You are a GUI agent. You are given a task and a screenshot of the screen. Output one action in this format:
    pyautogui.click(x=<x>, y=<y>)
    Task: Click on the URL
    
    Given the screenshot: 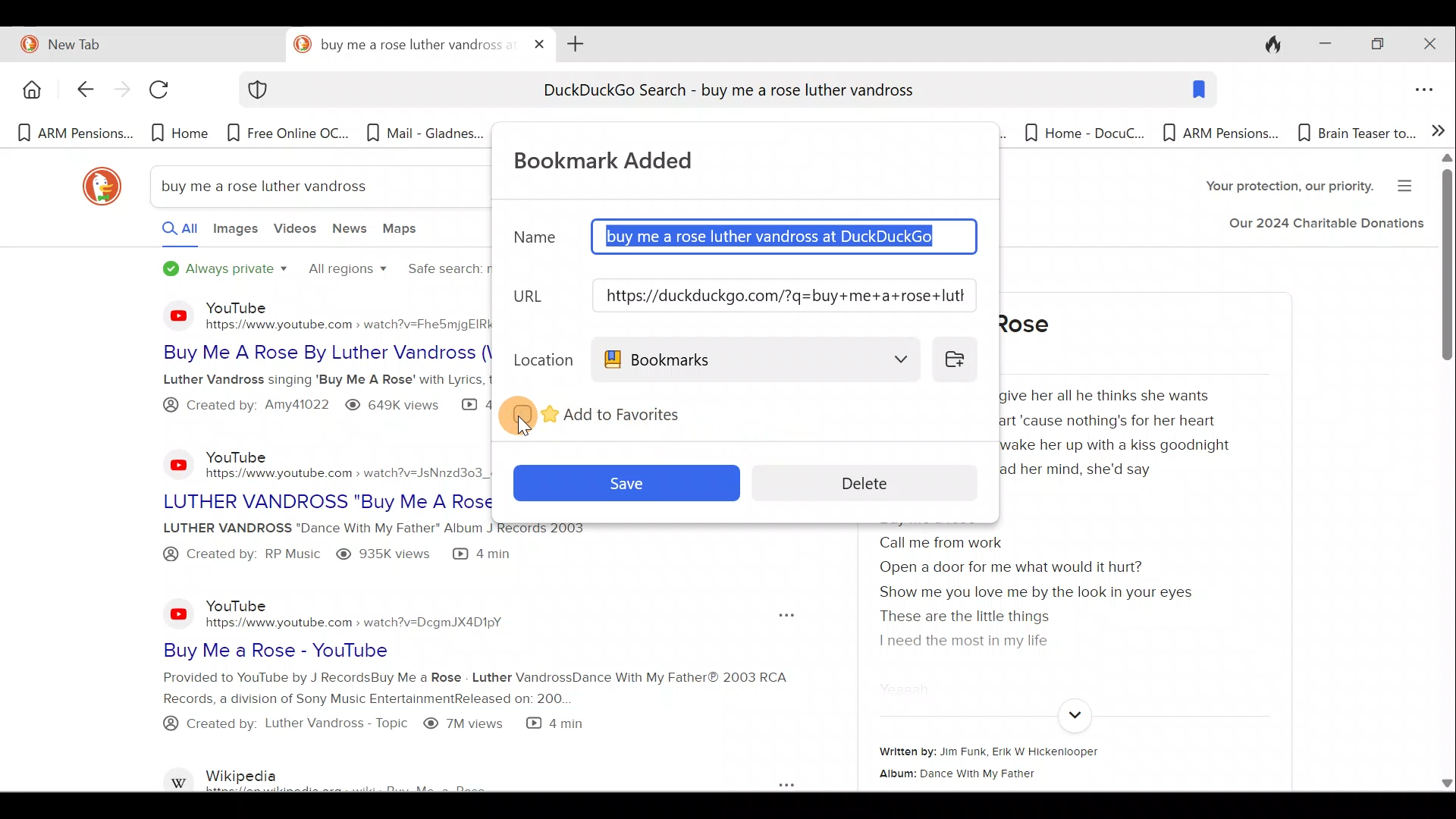 What is the action you would take?
    pyautogui.click(x=536, y=297)
    